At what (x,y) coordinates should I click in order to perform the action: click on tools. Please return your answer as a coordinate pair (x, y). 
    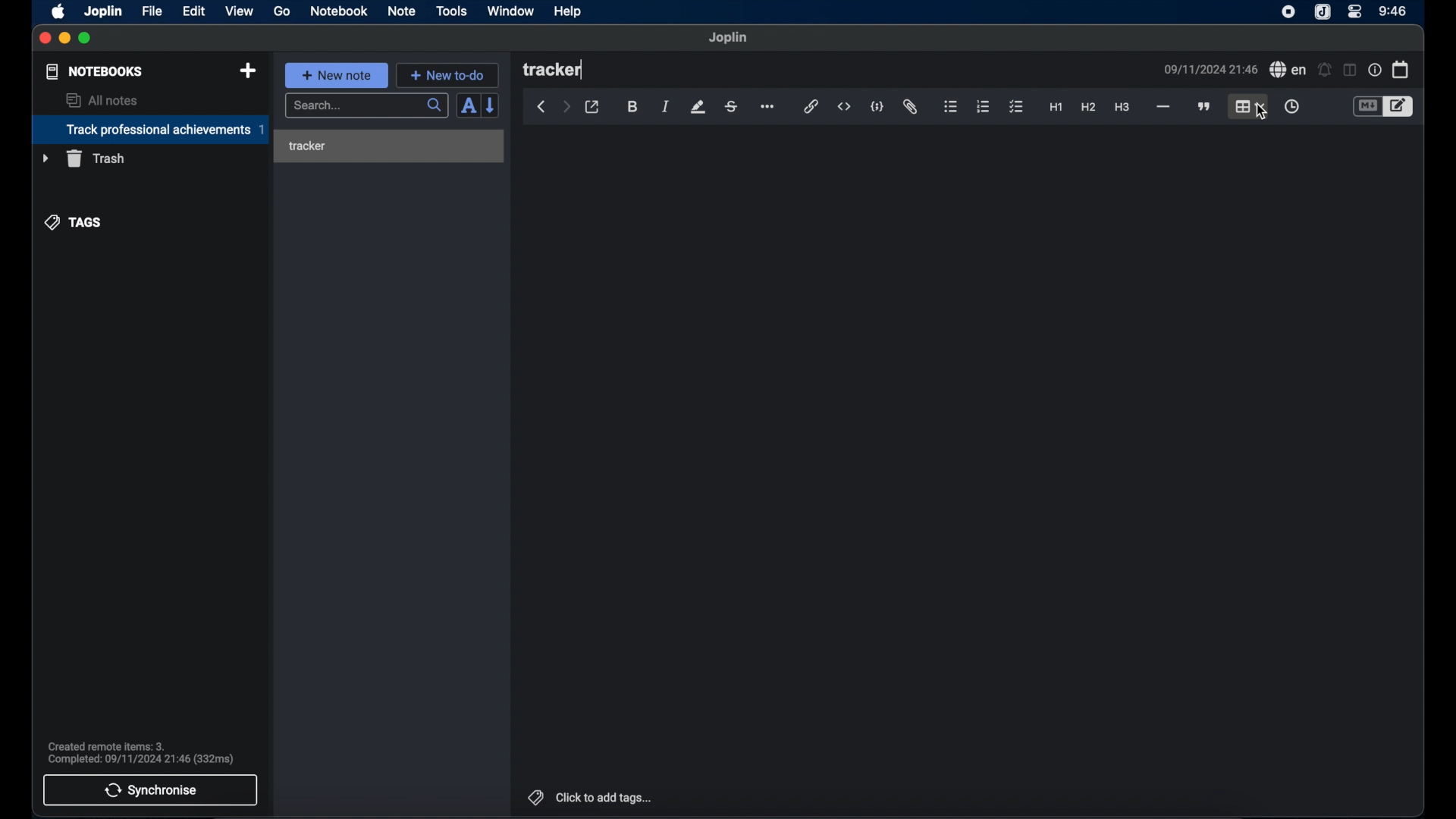
    Looking at the image, I should click on (452, 11).